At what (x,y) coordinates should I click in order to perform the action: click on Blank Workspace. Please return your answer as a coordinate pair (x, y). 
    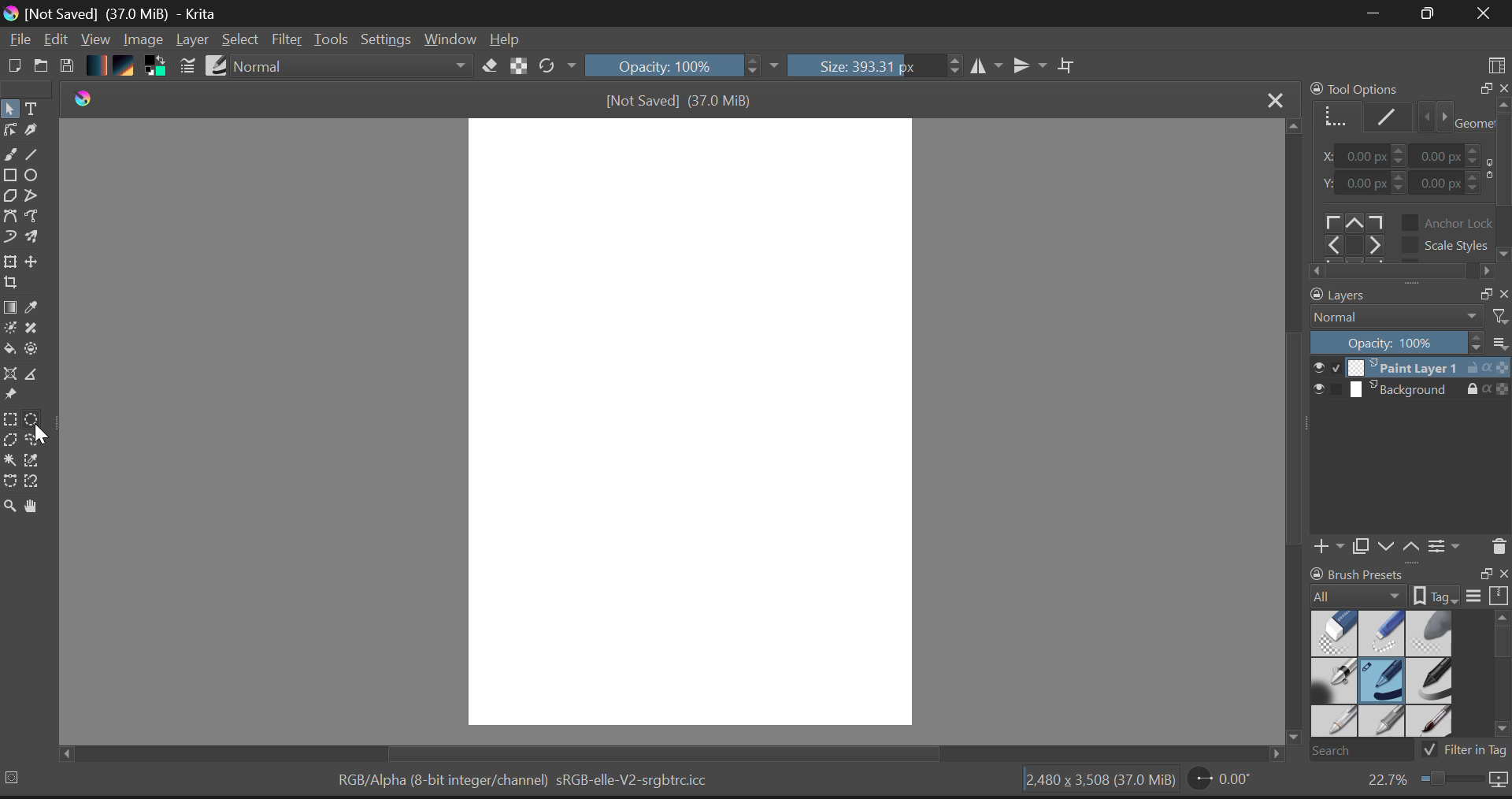
    Looking at the image, I should click on (695, 425).